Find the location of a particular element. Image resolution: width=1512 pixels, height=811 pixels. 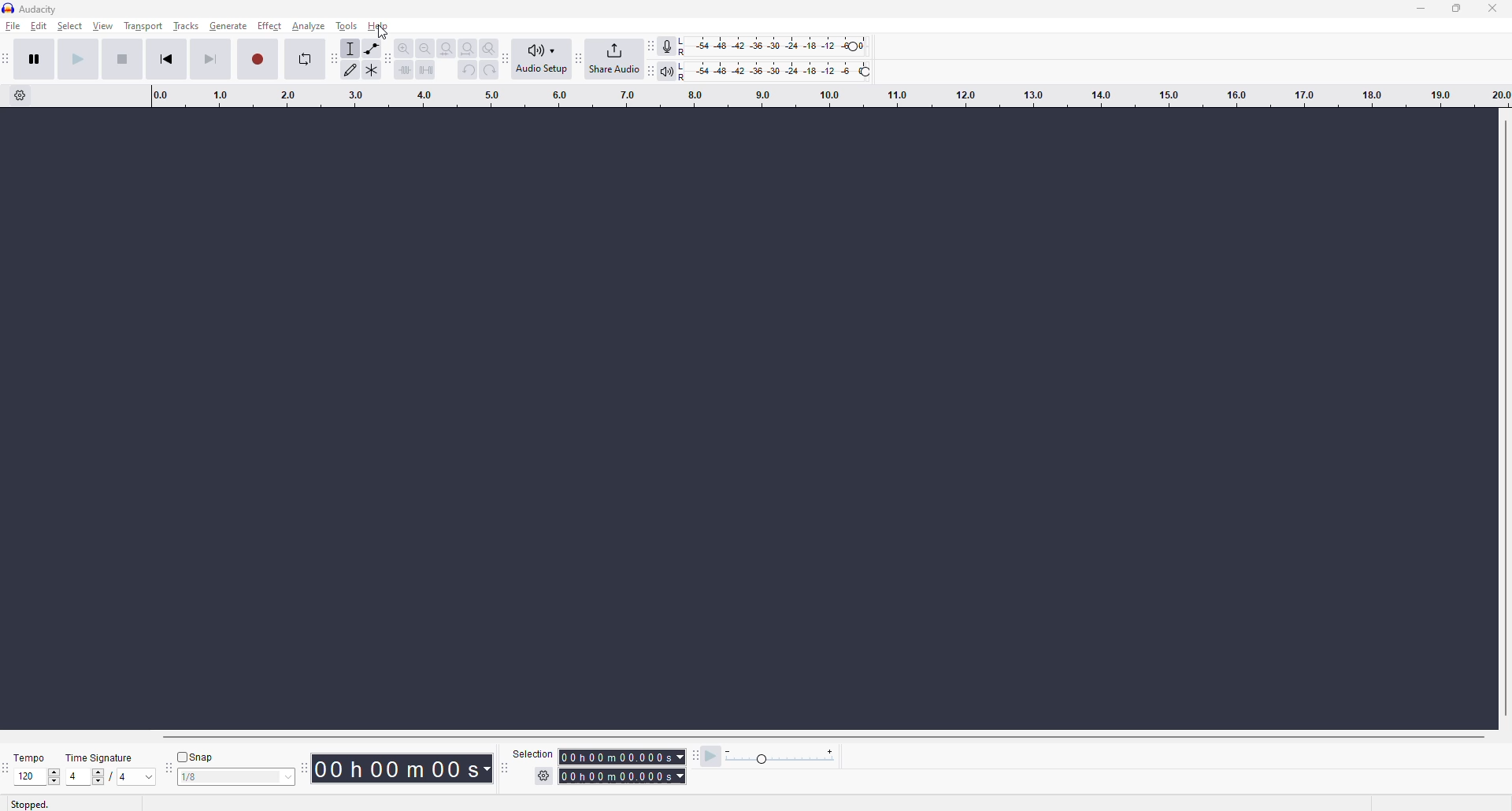

skip to end is located at coordinates (211, 58).